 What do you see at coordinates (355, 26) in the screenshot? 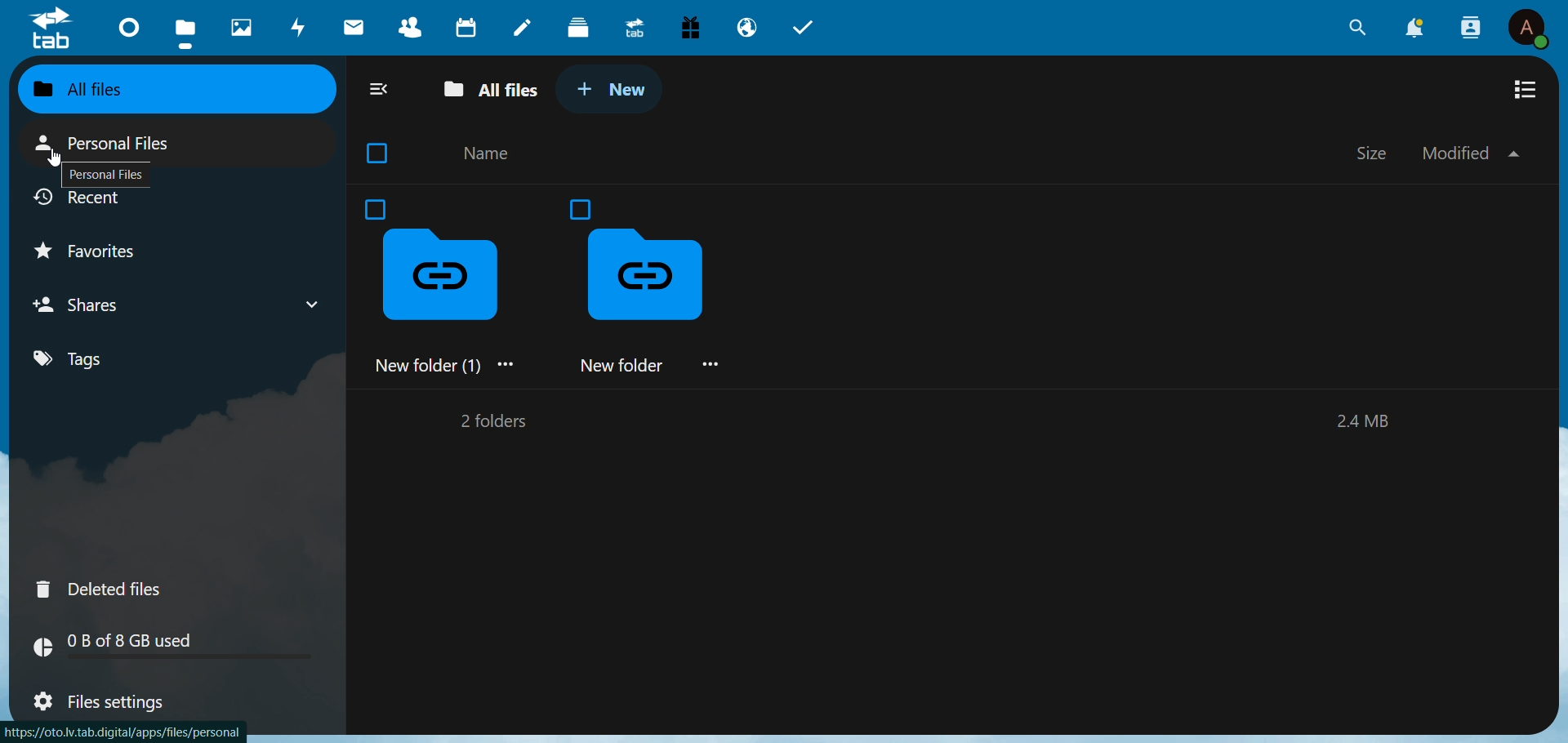
I see `mail` at bounding box center [355, 26].